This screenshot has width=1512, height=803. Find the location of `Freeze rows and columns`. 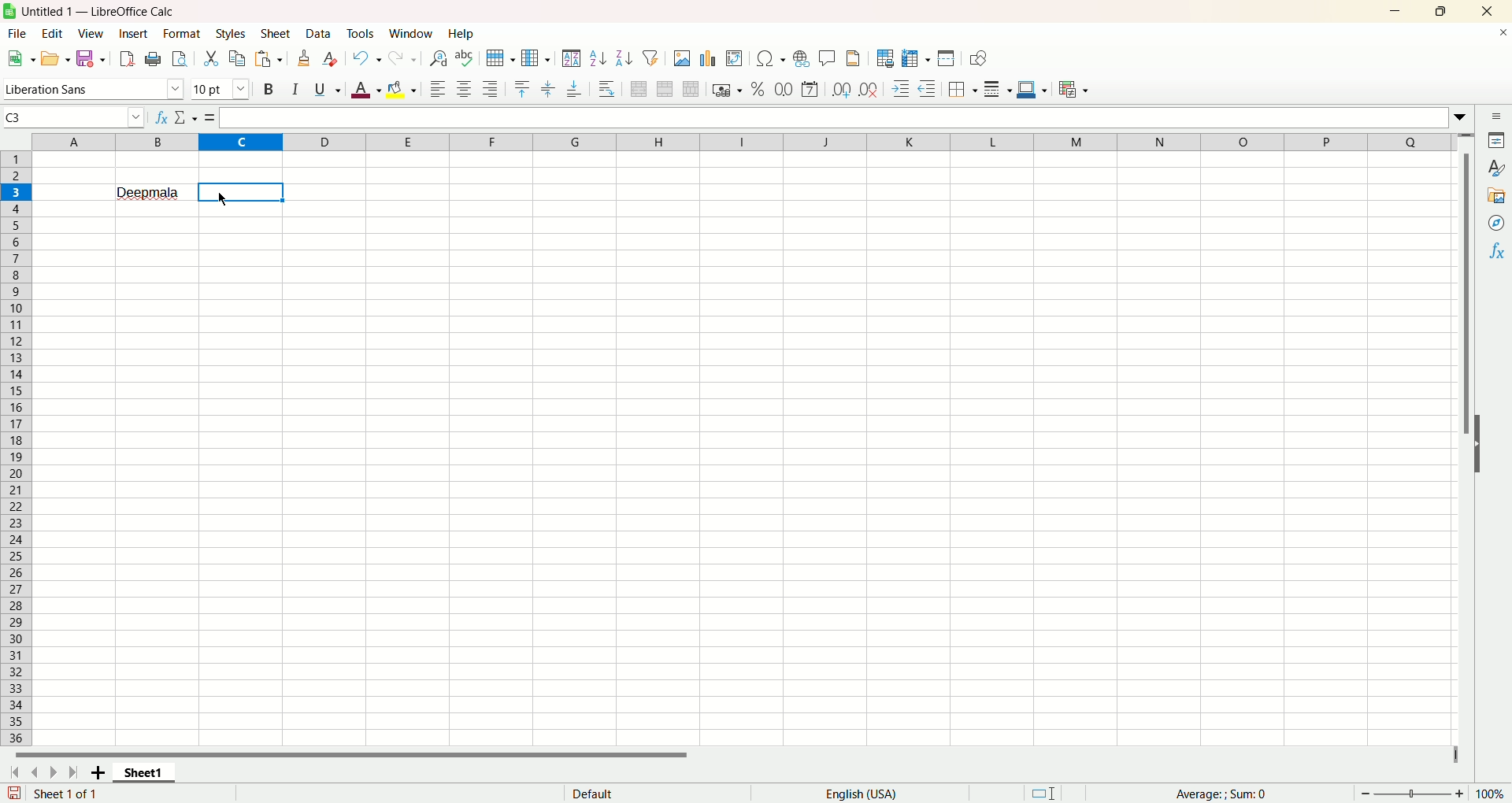

Freeze rows and columns is located at coordinates (917, 59).